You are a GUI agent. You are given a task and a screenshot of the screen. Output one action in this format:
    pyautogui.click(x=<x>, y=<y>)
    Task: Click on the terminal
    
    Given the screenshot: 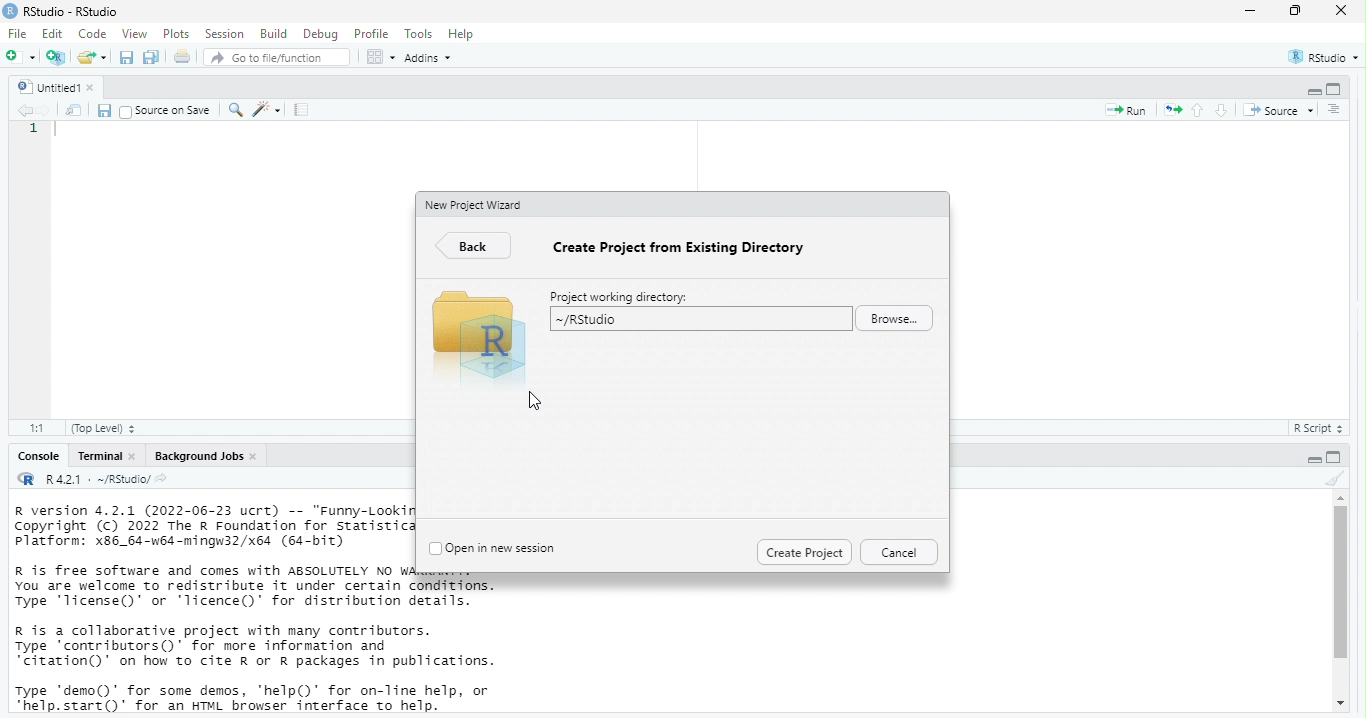 What is the action you would take?
    pyautogui.click(x=98, y=456)
    